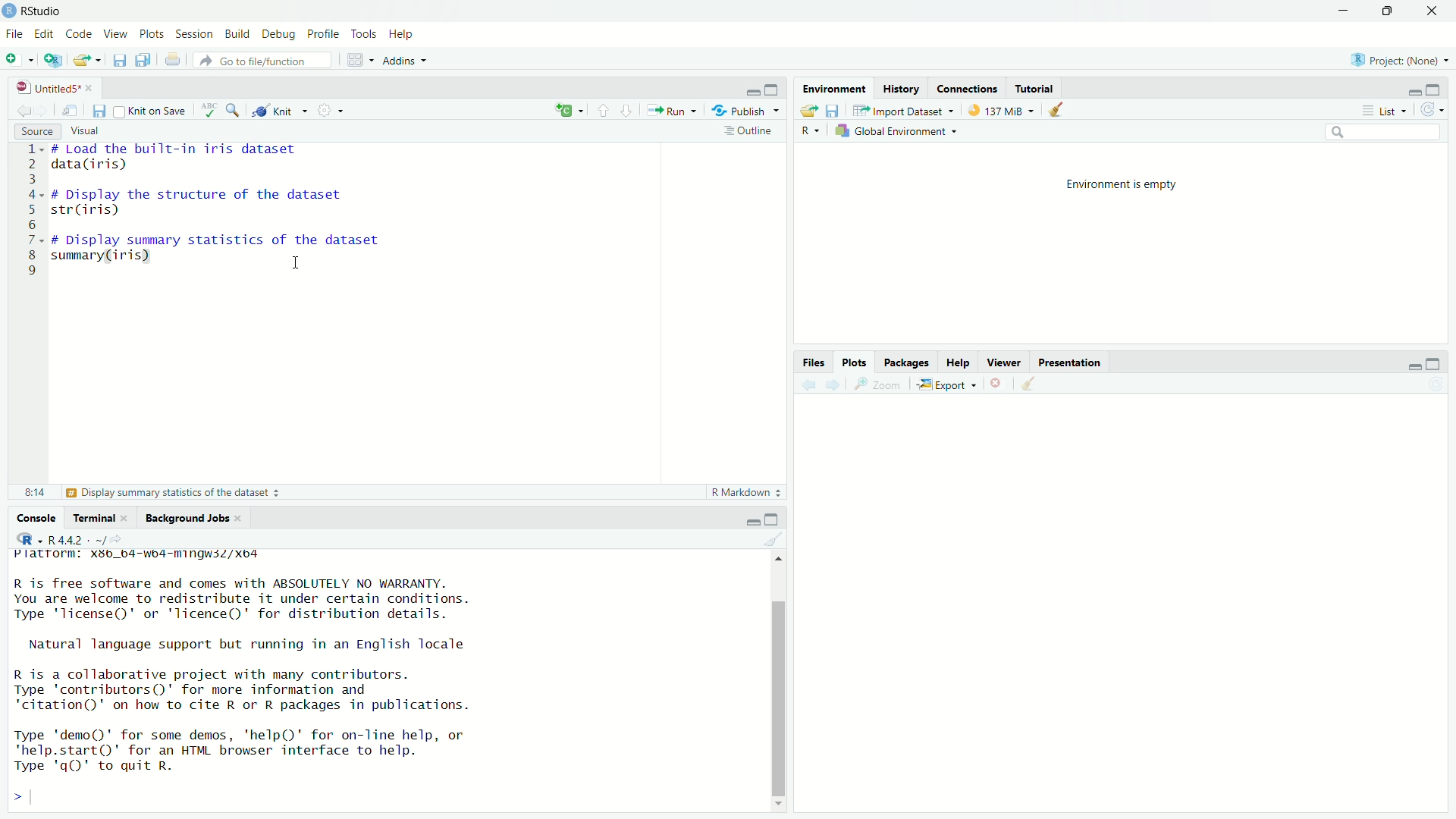 This screenshot has width=1456, height=819. What do you see at coordinates (811, 109) in the screenshot?
I see `Export log history` at bounding box center [811, 109].